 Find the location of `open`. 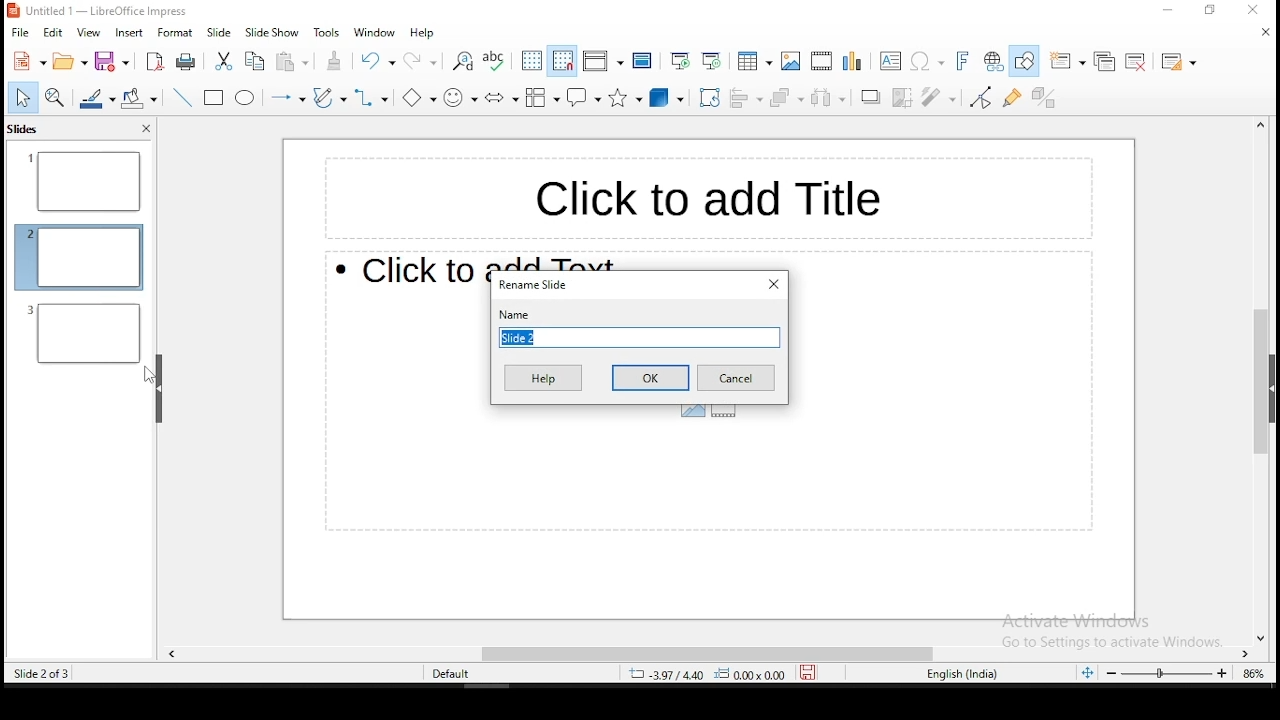

open is located at coordinates (72, 61).